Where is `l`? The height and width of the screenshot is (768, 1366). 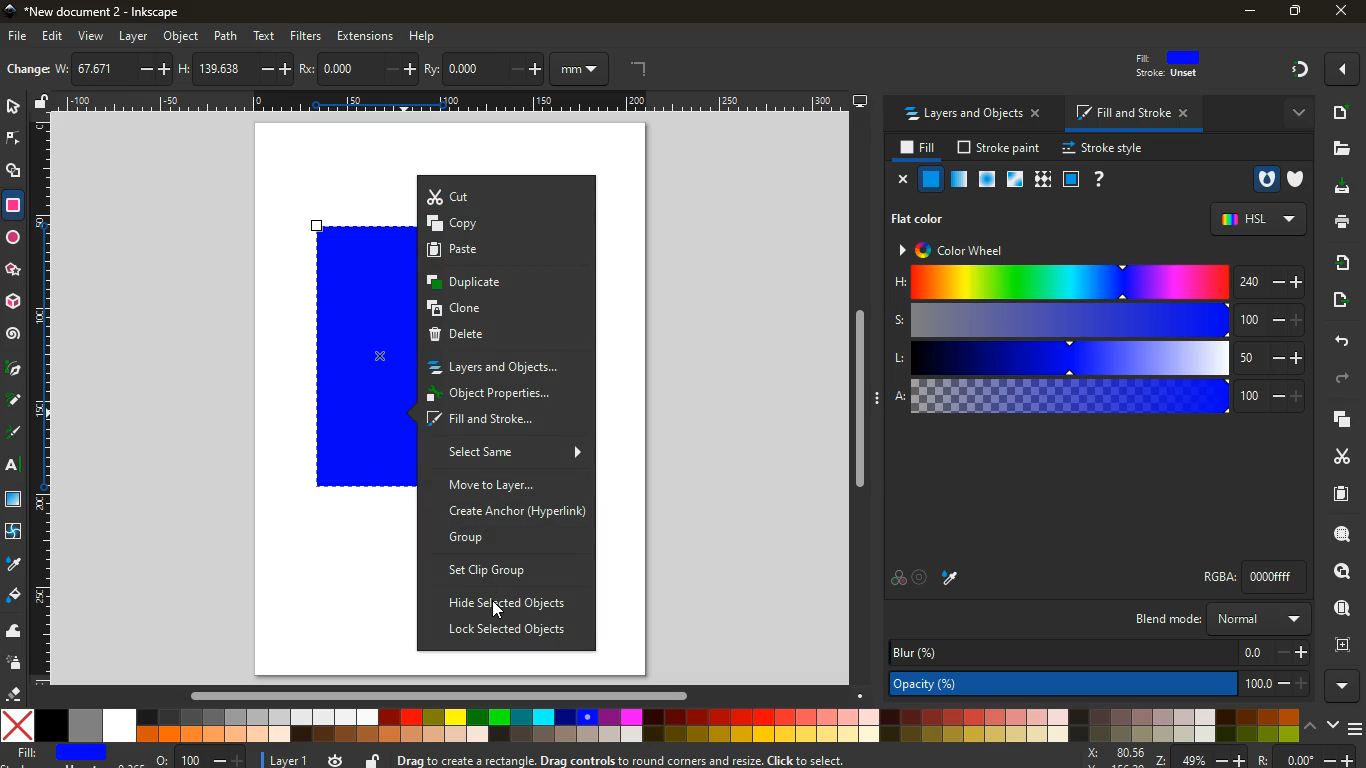
l is located at coordinates (1103, 358).